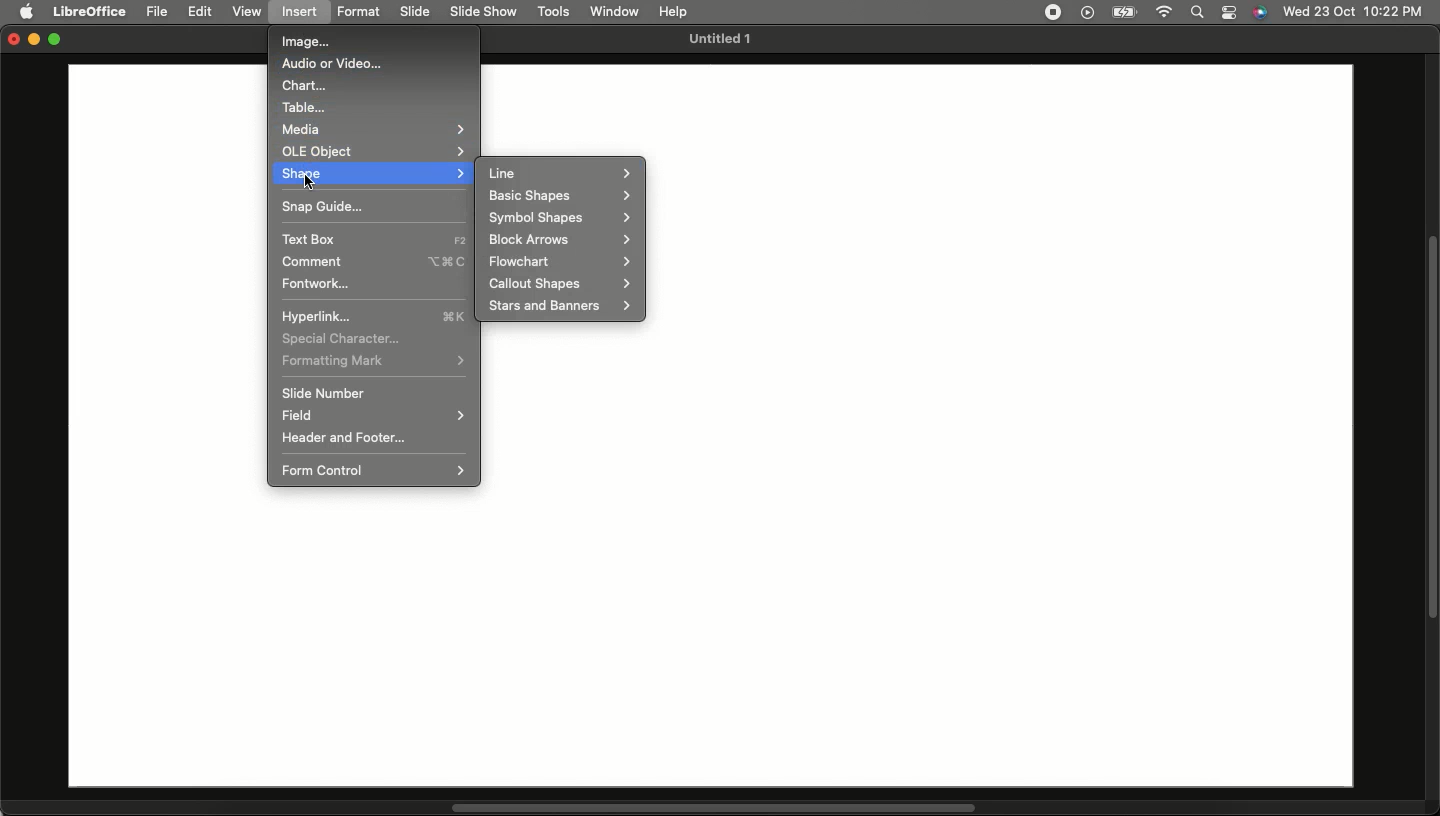 The image size is (1440, 816). I want to click on Block arrows, so click(560, 240).